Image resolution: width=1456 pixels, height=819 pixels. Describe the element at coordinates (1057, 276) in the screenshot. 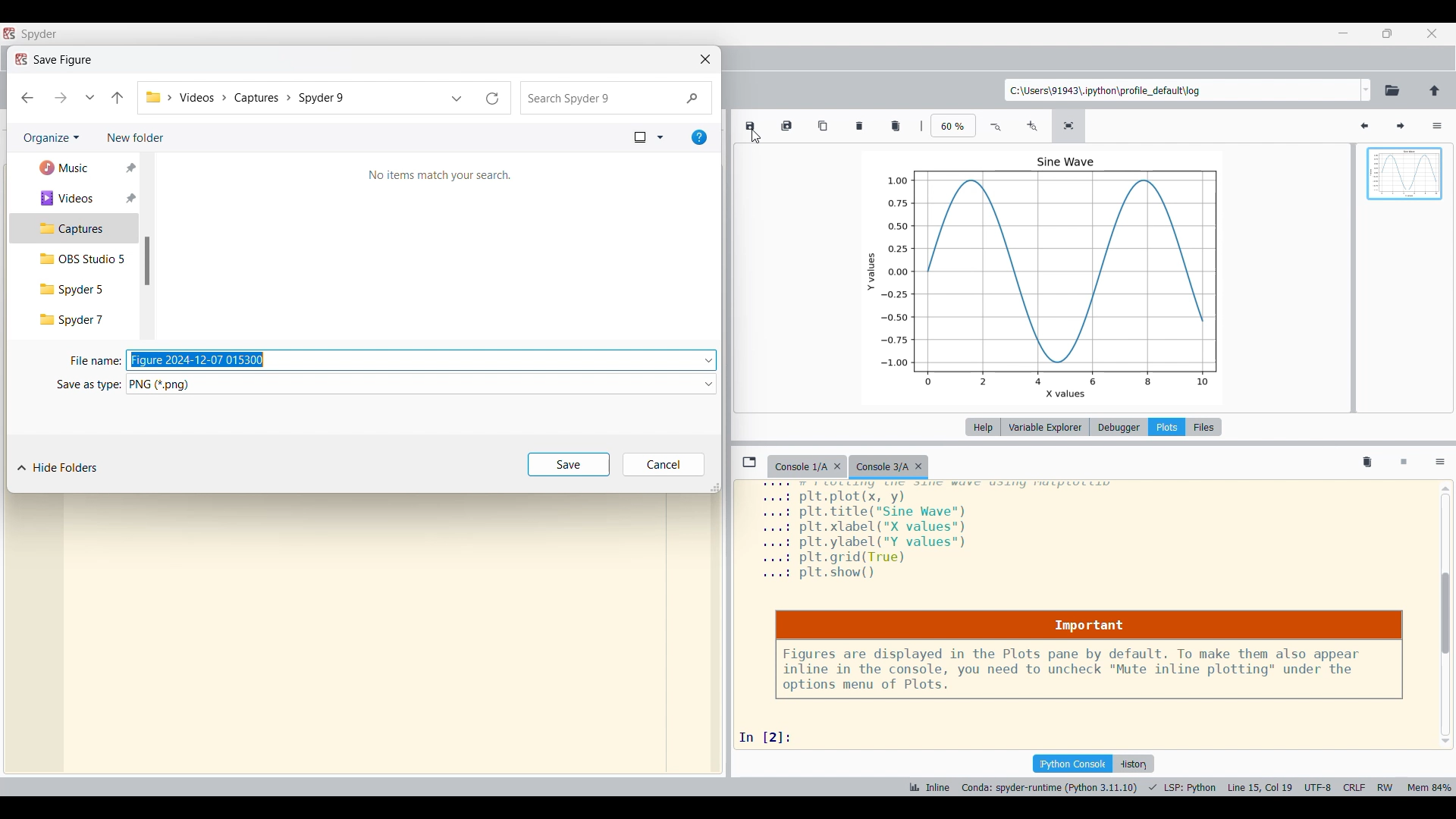

I see `chart within plot pane` at that location.